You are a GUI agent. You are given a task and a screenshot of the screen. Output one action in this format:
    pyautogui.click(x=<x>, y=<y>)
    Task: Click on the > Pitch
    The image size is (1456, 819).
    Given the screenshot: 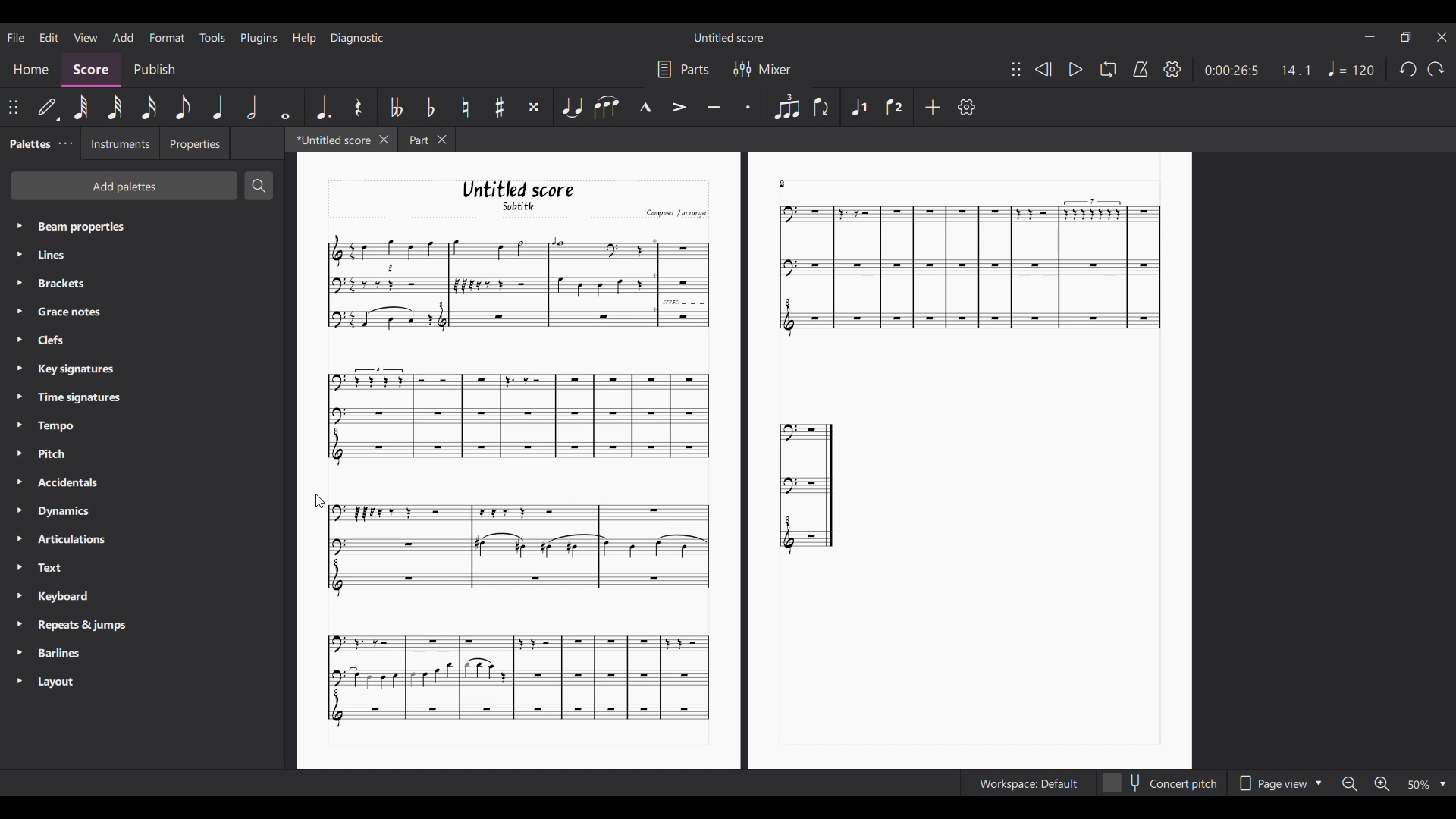 What is the action you would take?
    pyautogui.click(x=52, y=457)
    